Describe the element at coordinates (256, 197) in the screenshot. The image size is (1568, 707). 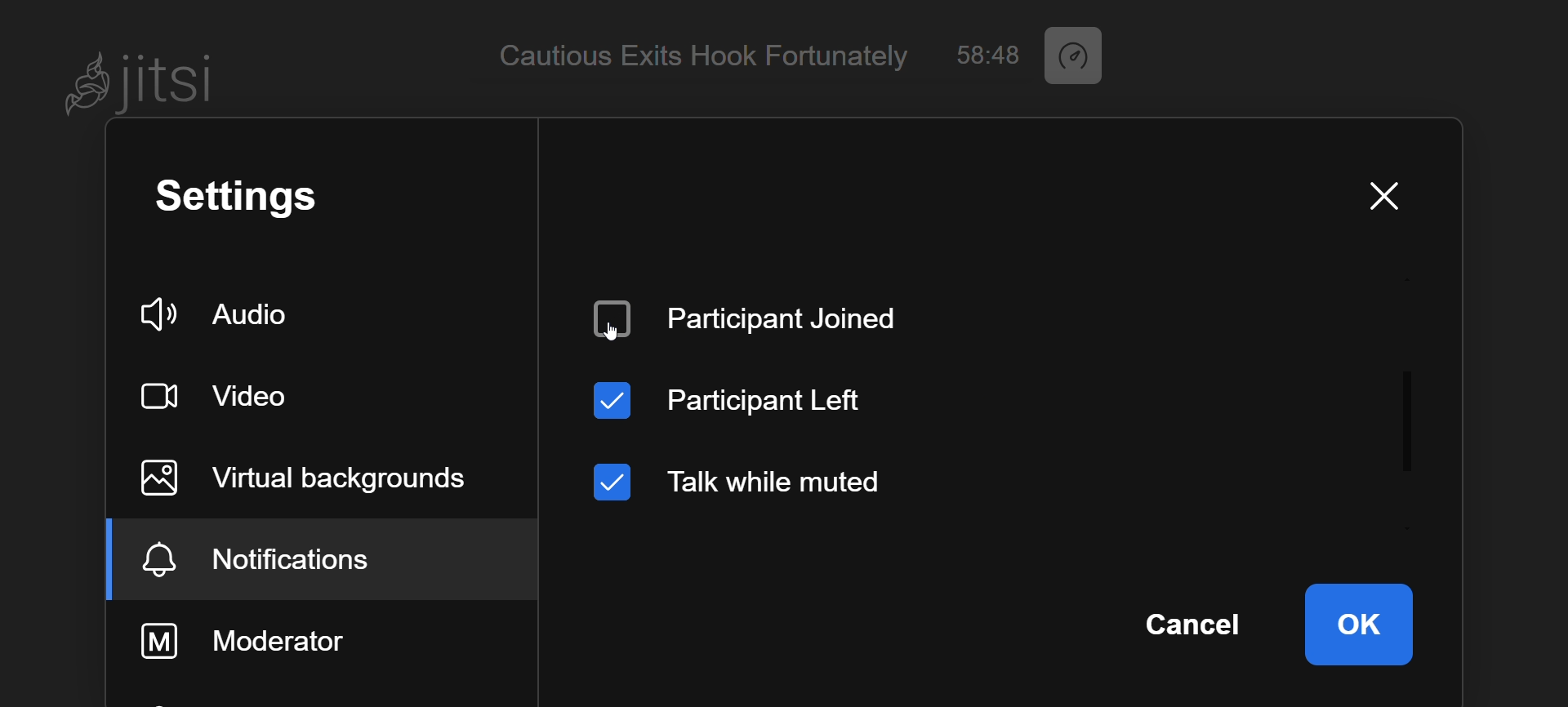
I see `setting` at that location.